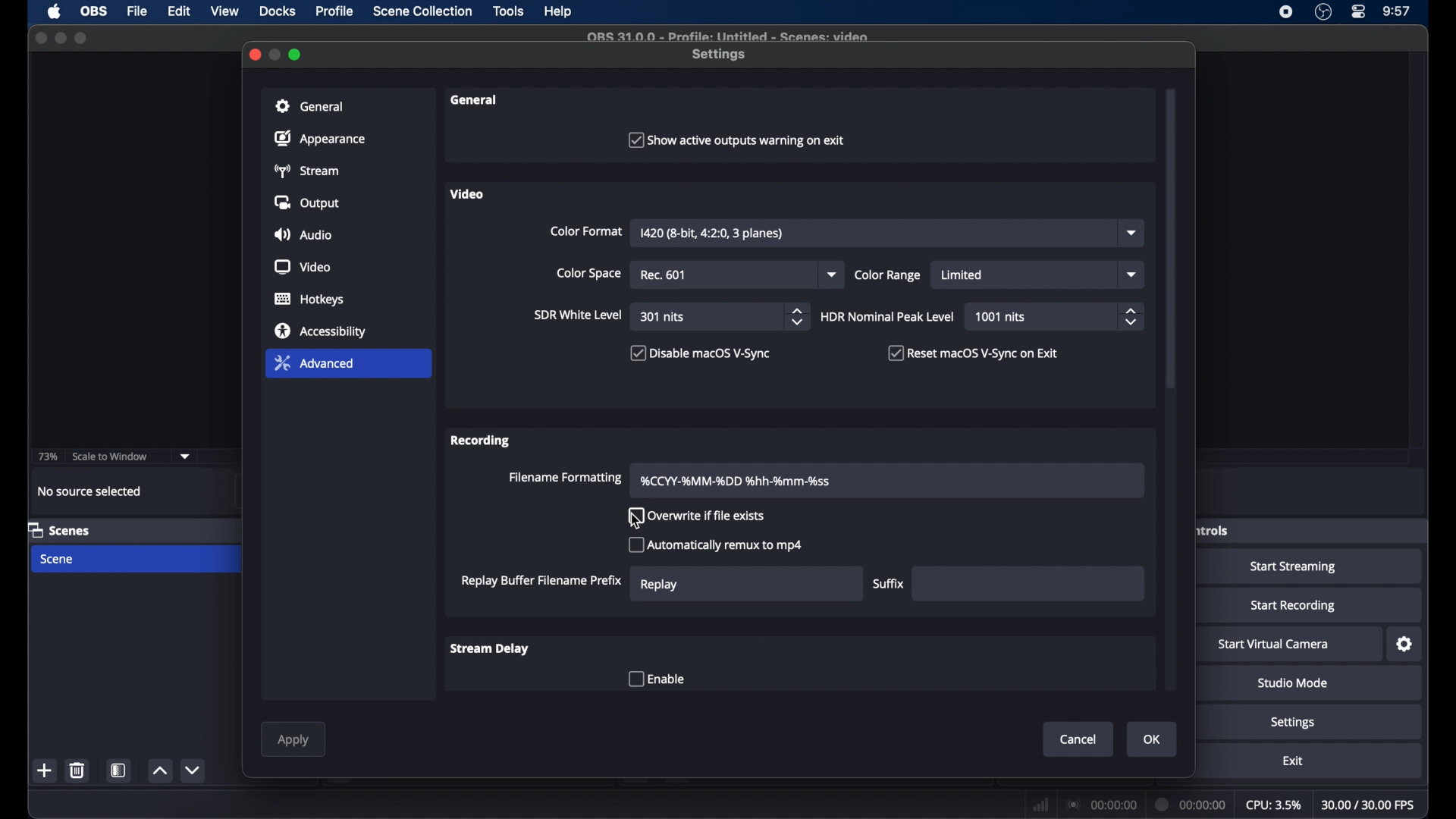 This screenshot has height=819, width=1456. Describe the element at coordinates (297, 54) in the screenshot. I see `maximize` at that location.